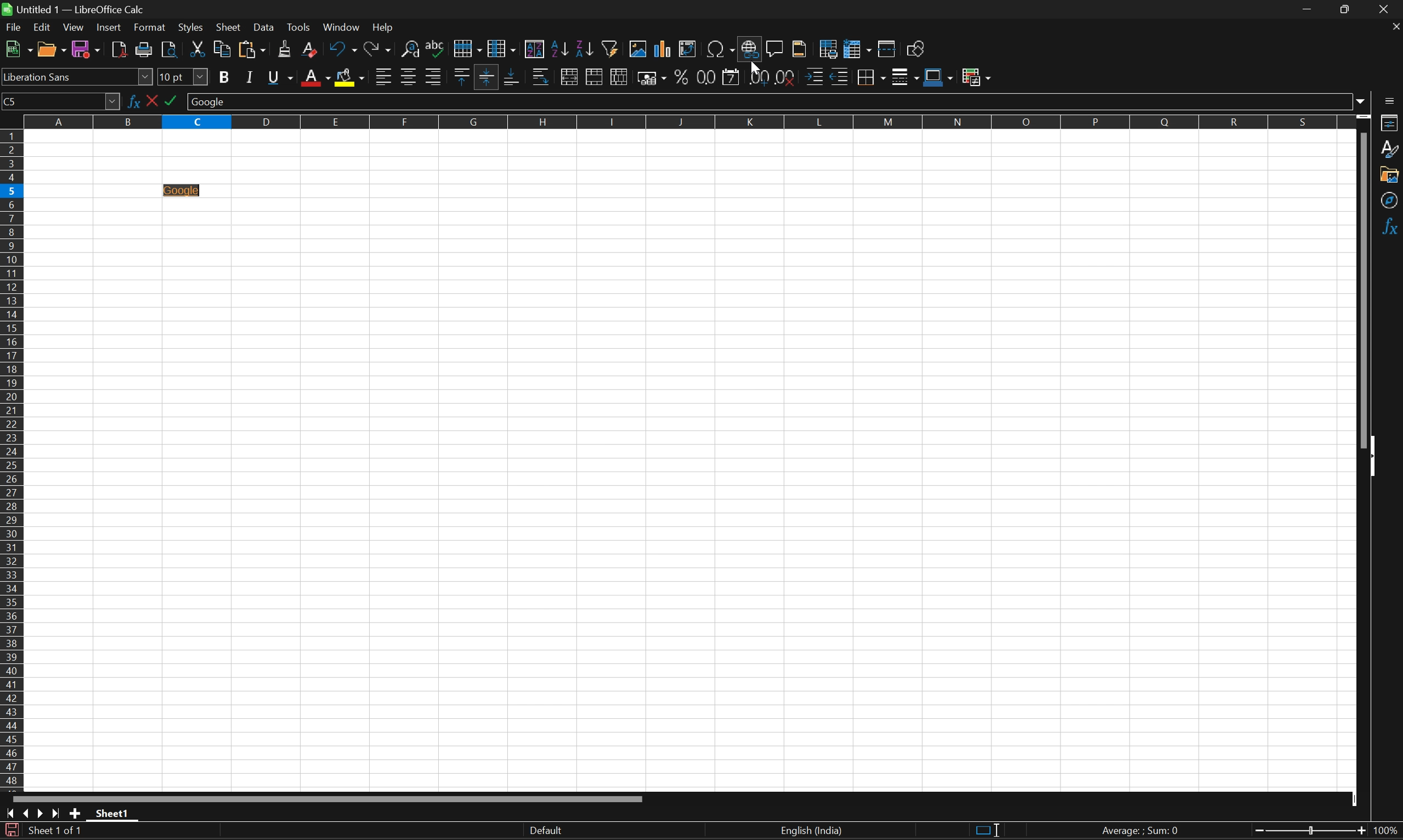  I want to click on Font name, so click(77, 79).